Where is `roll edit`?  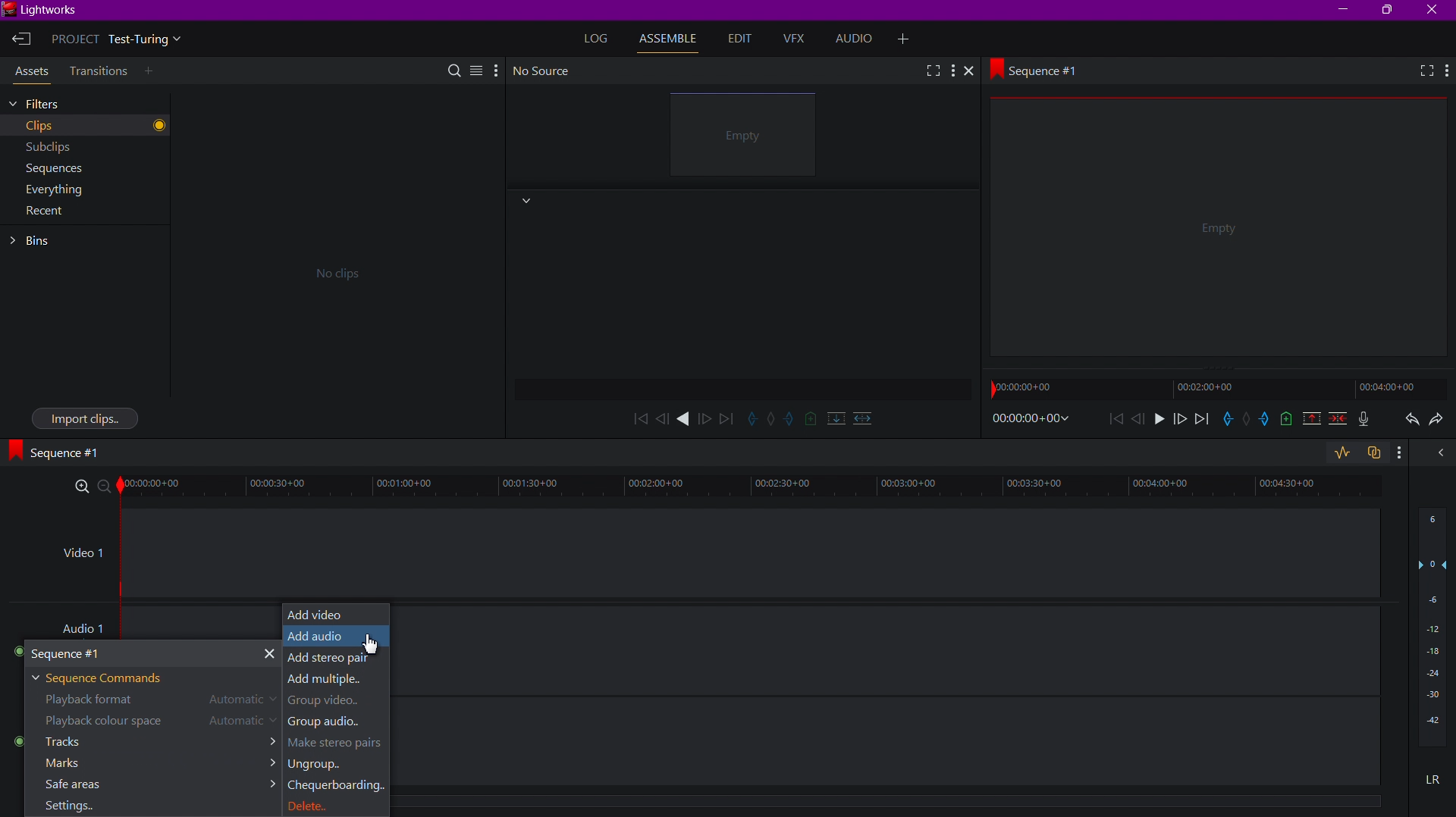 roll edit is located at coordinates (772, 420).